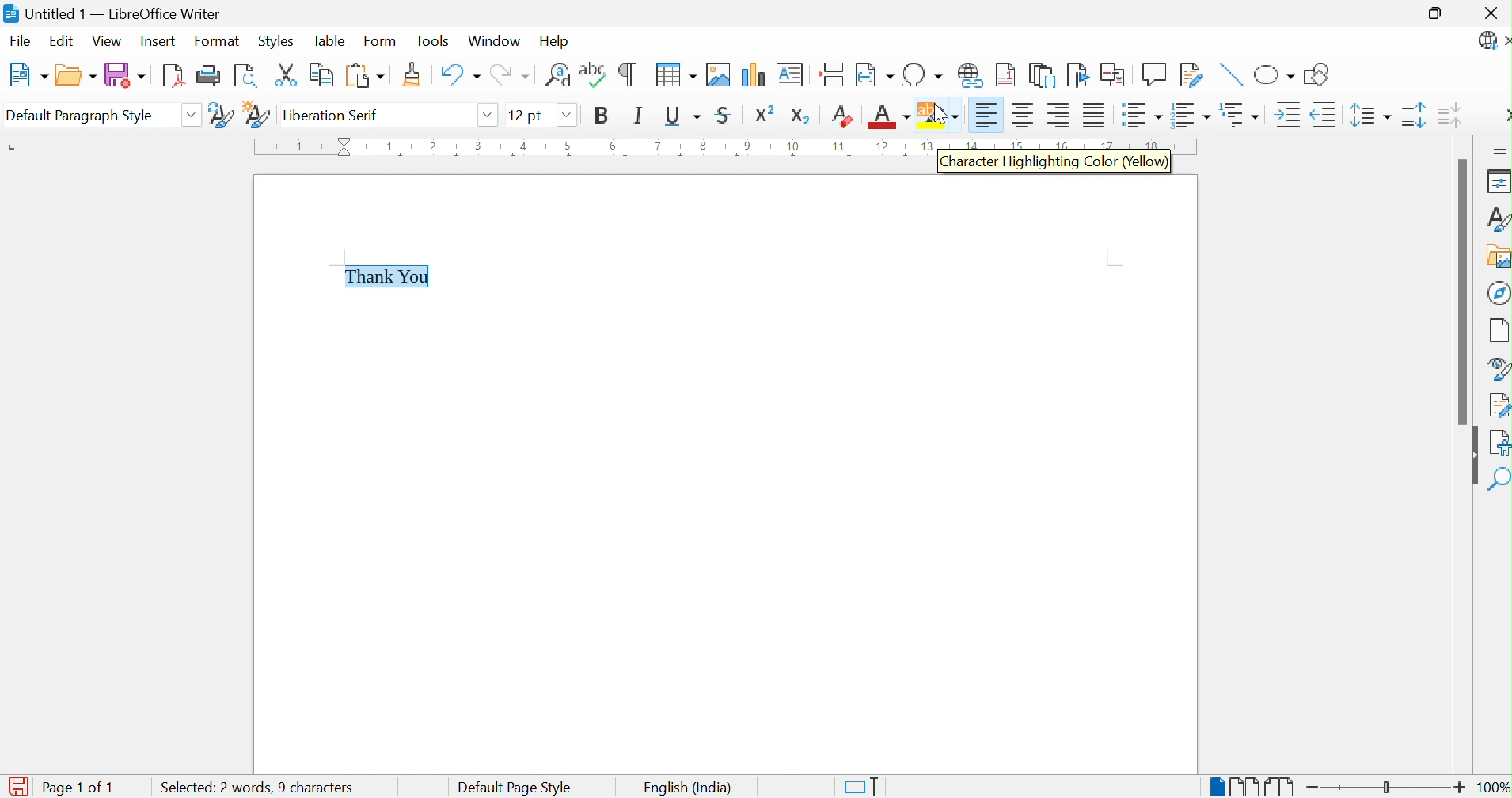  I want to click on Italic, so click(642, 115).